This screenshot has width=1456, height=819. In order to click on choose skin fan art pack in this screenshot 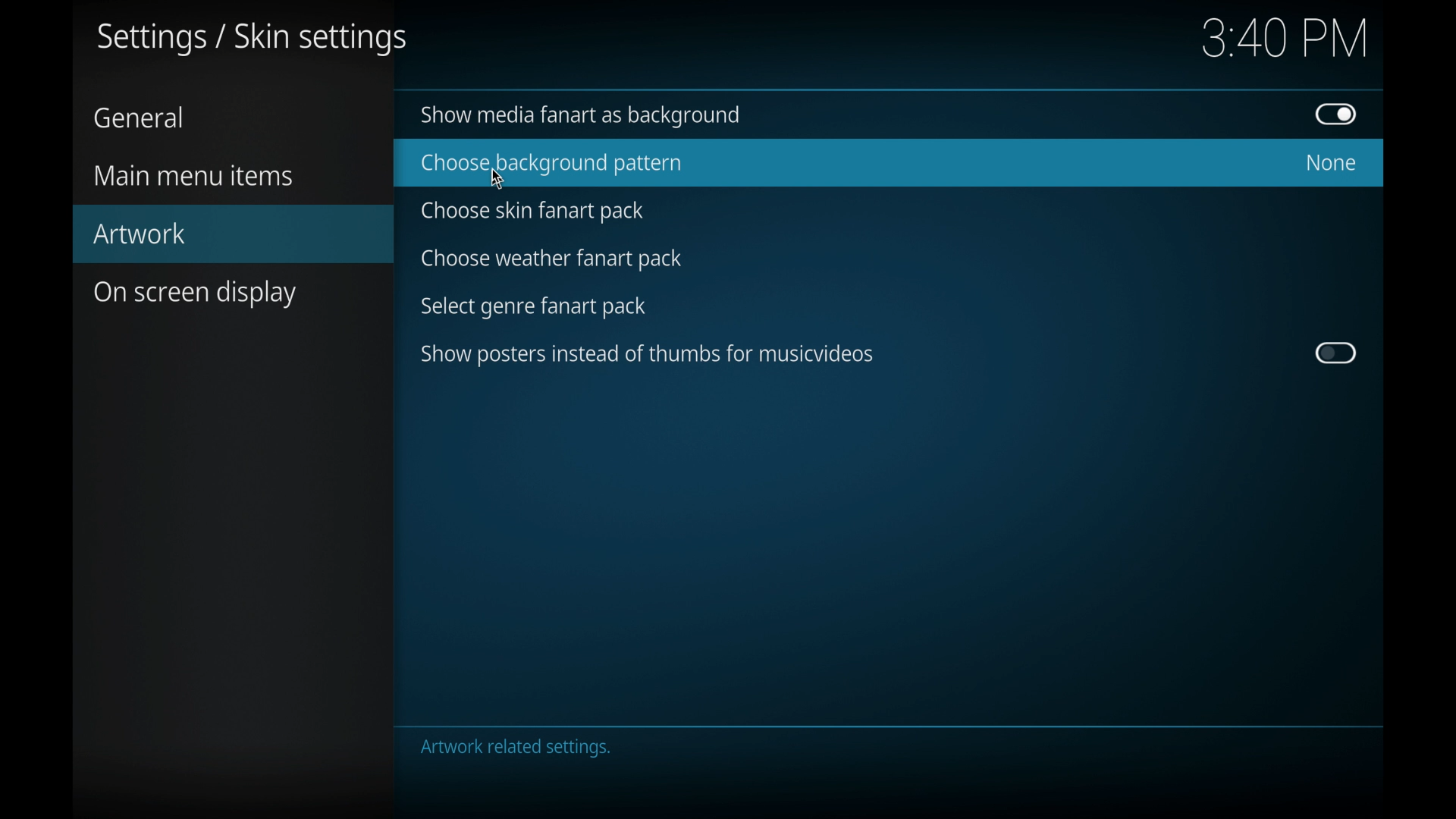, I will do `click(538, 210)`.